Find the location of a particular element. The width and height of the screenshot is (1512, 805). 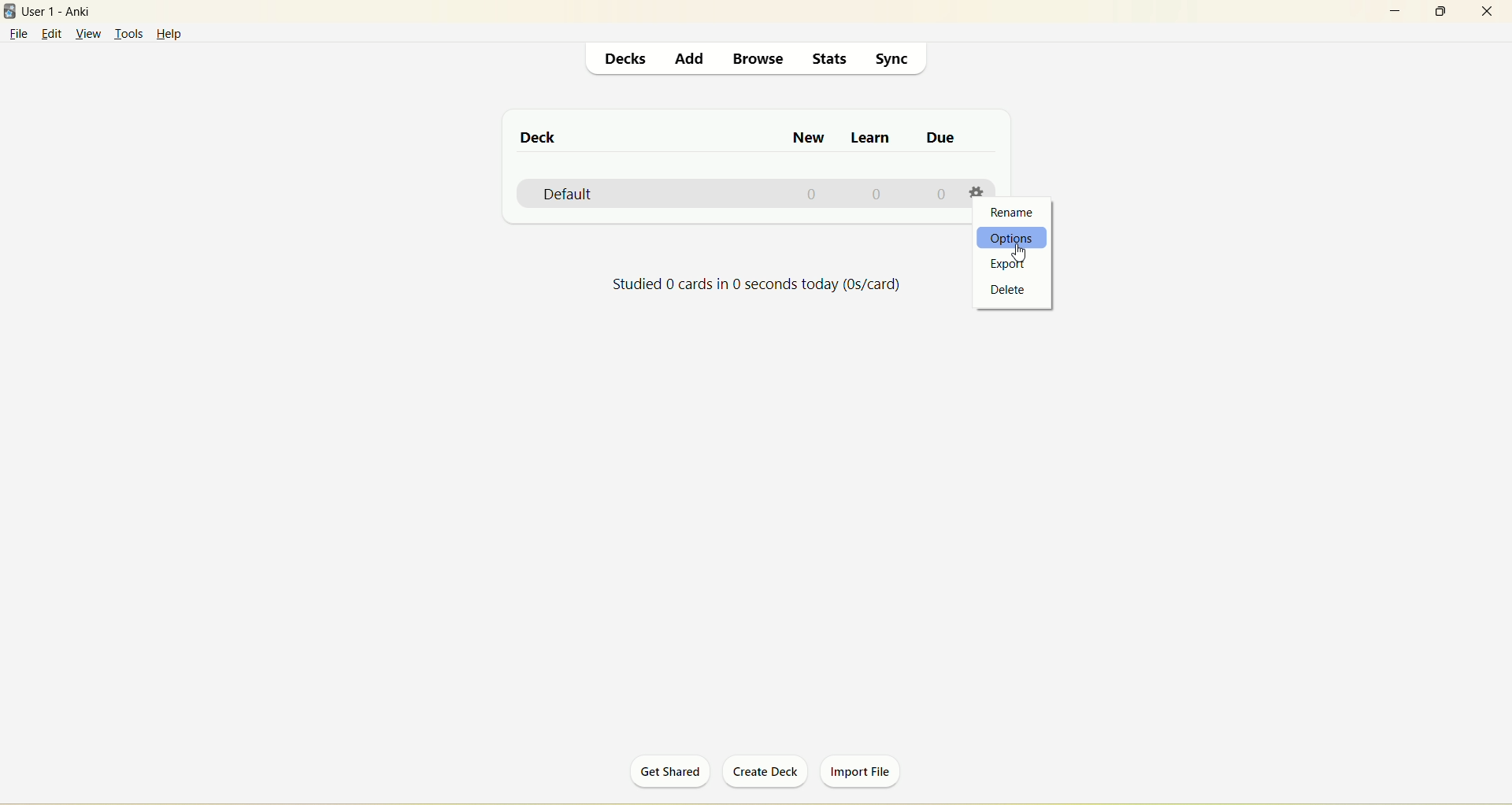

decks is located at coordinates (629, 59).